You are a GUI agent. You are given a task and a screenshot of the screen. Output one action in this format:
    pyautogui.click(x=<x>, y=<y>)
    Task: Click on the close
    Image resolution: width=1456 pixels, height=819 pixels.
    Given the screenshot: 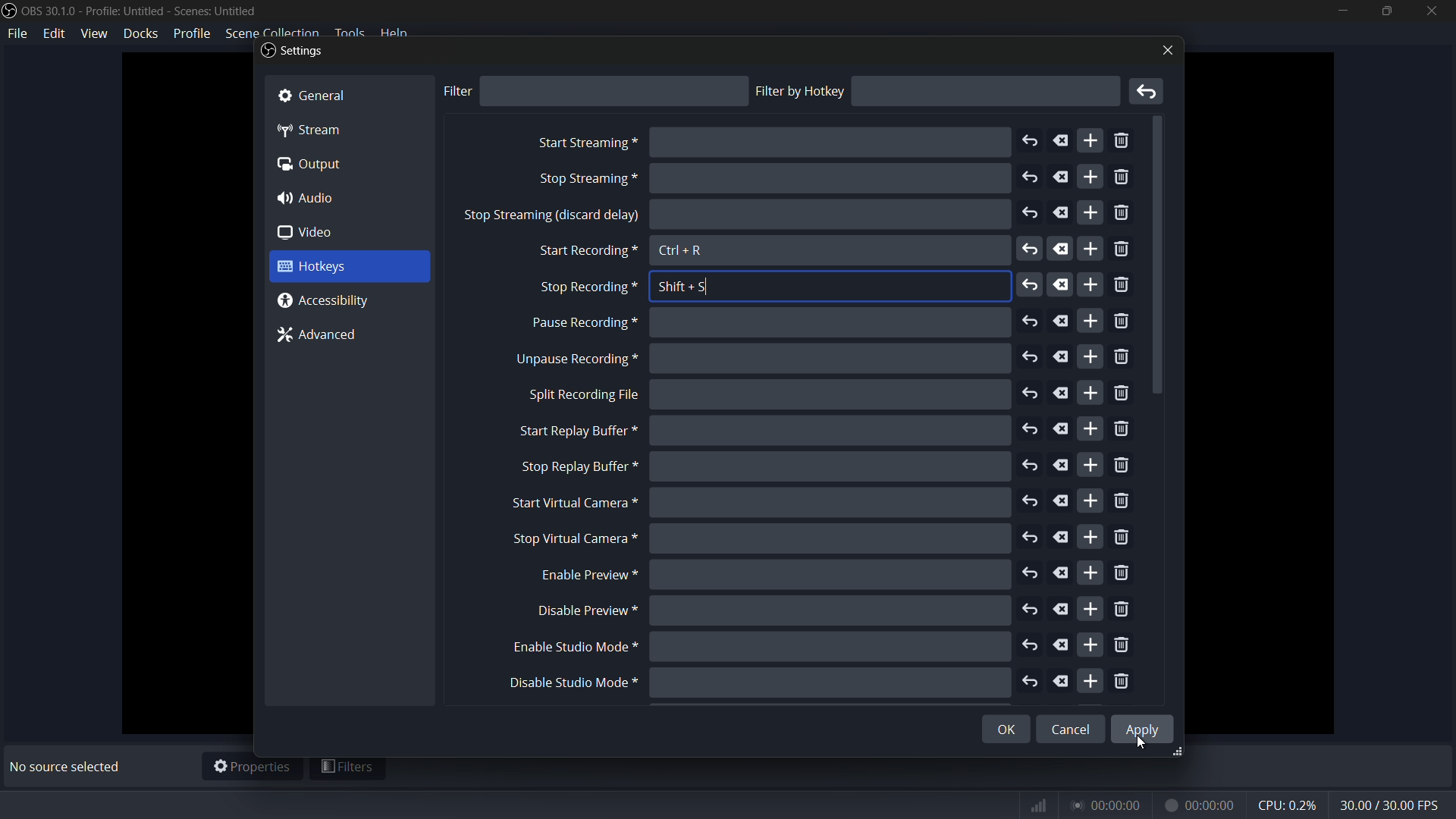 What is the action you would take?
    pyautogui.click(x=1165, y=50)
    